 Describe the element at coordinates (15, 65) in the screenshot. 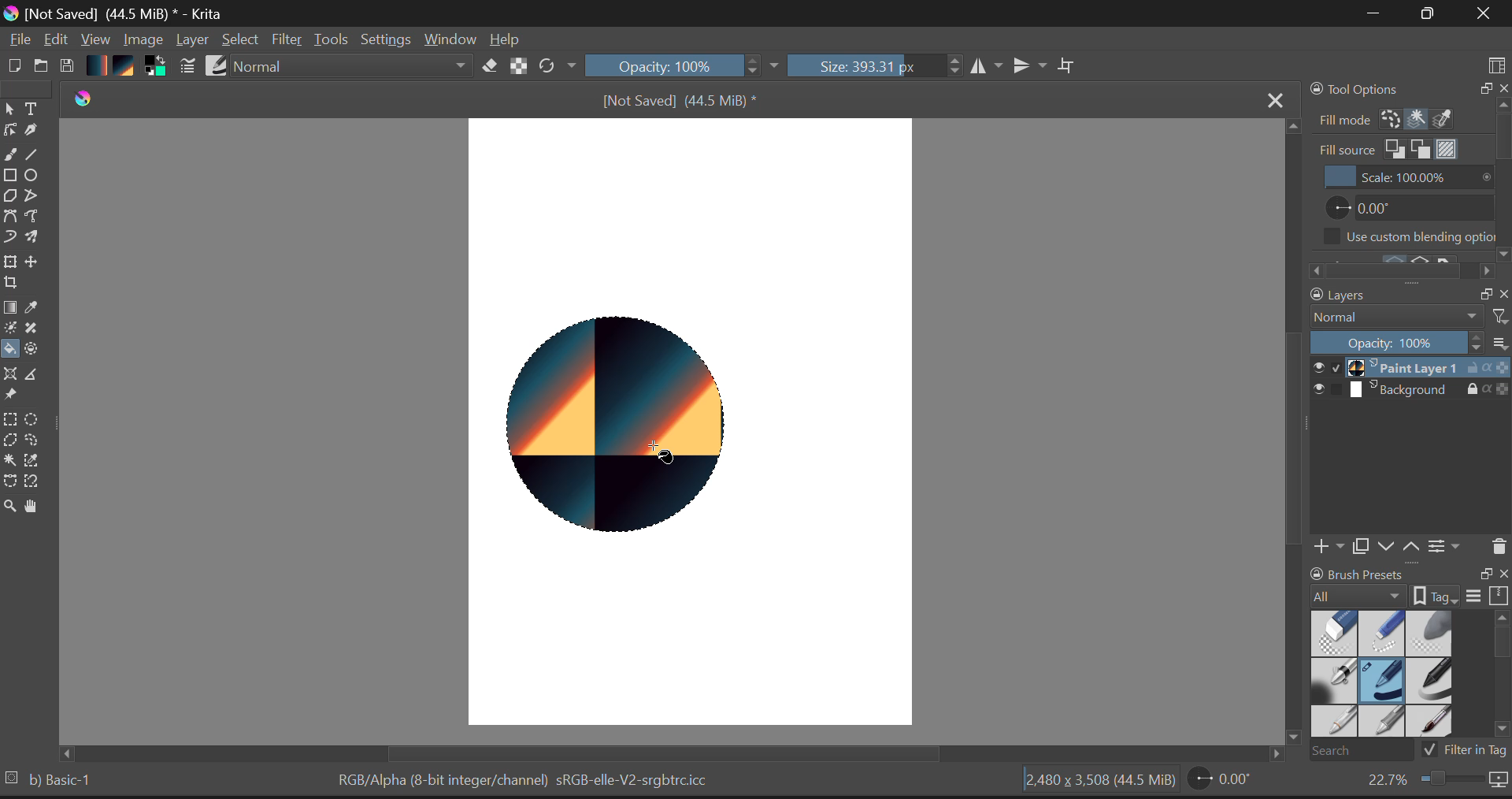

I see `New` at that location.